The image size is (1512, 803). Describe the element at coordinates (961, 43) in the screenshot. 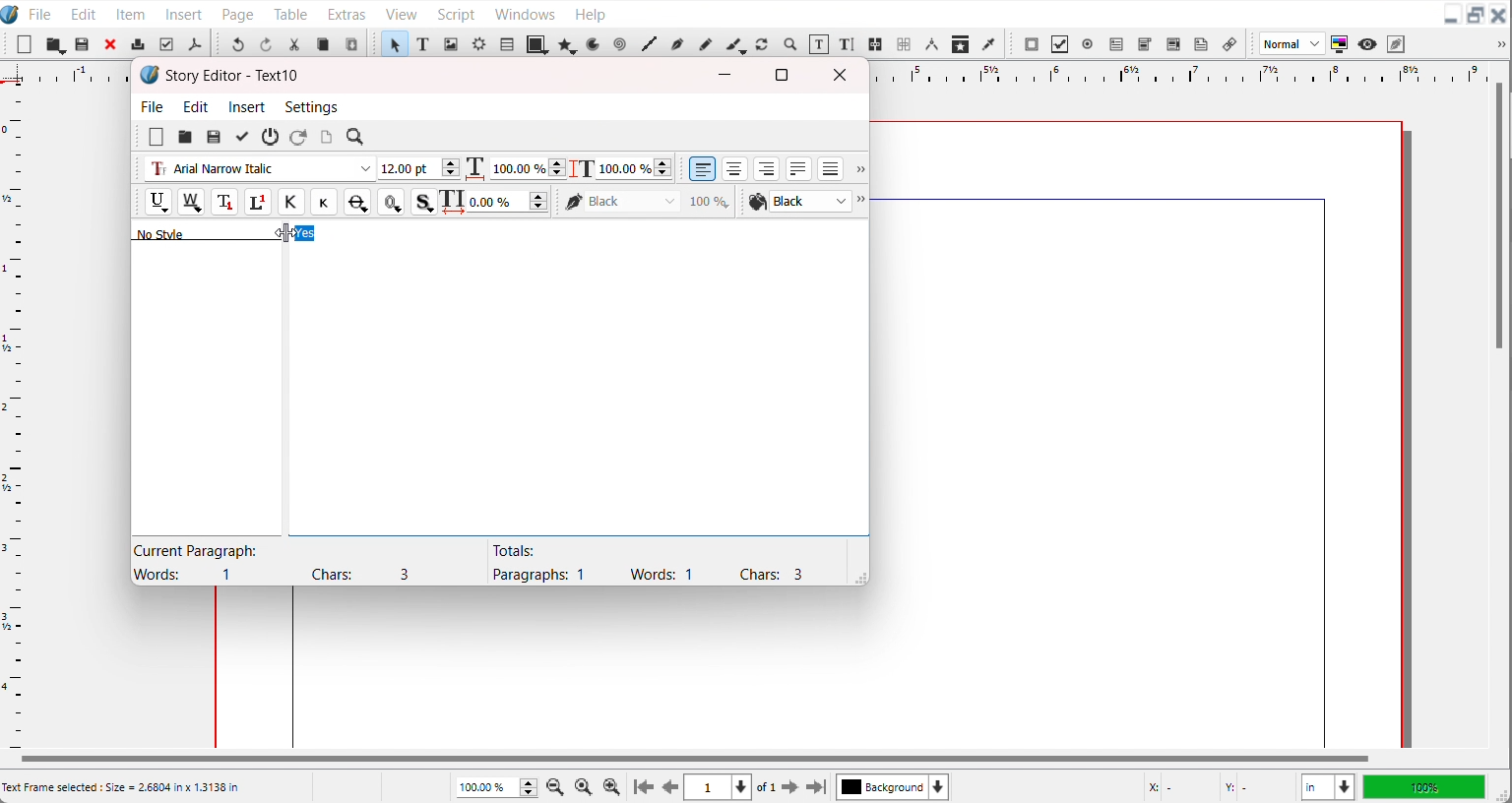

I see `Copy item Properties` at that location.